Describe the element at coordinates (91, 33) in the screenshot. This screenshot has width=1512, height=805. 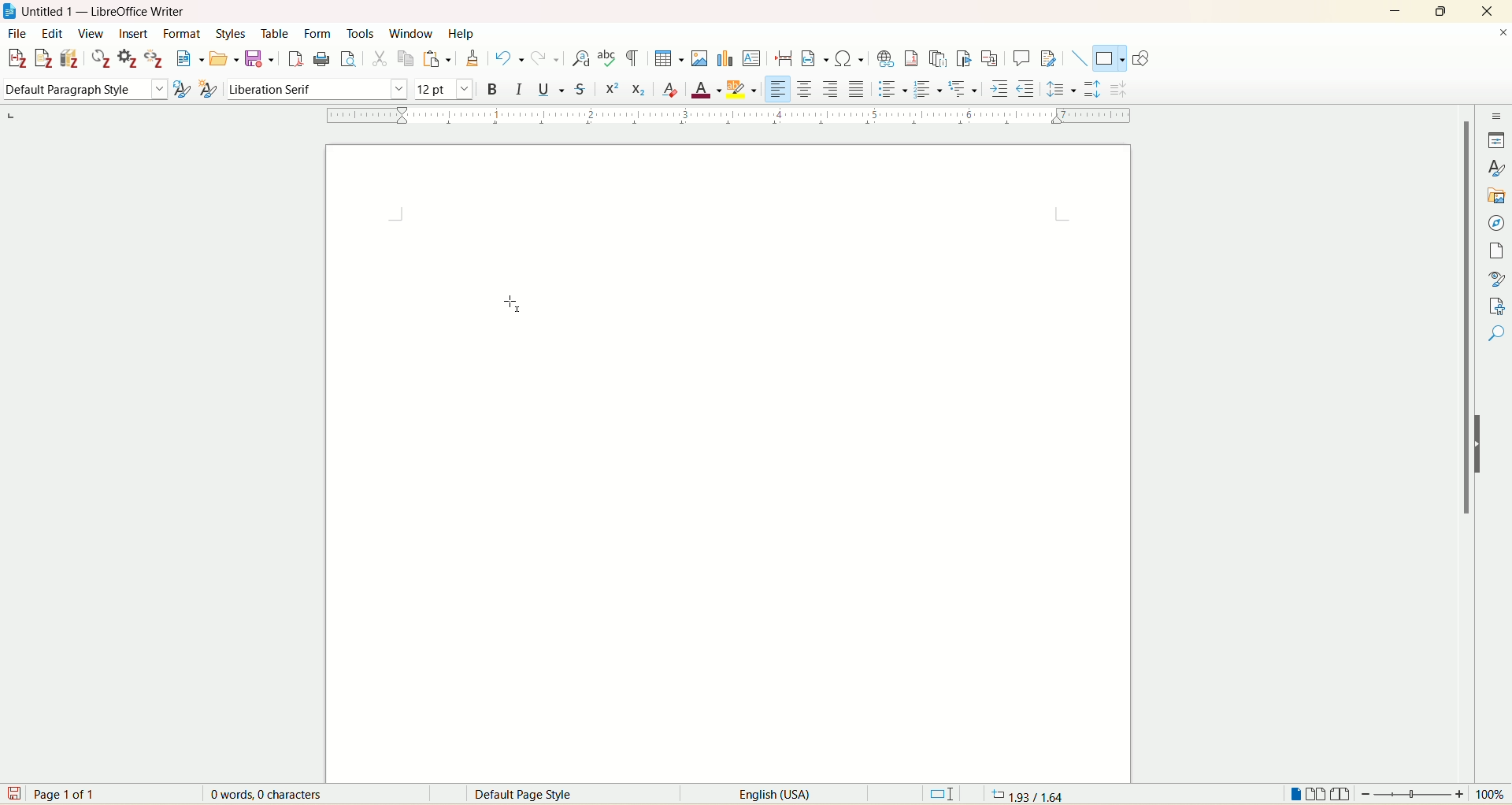
I see `view` at that location.